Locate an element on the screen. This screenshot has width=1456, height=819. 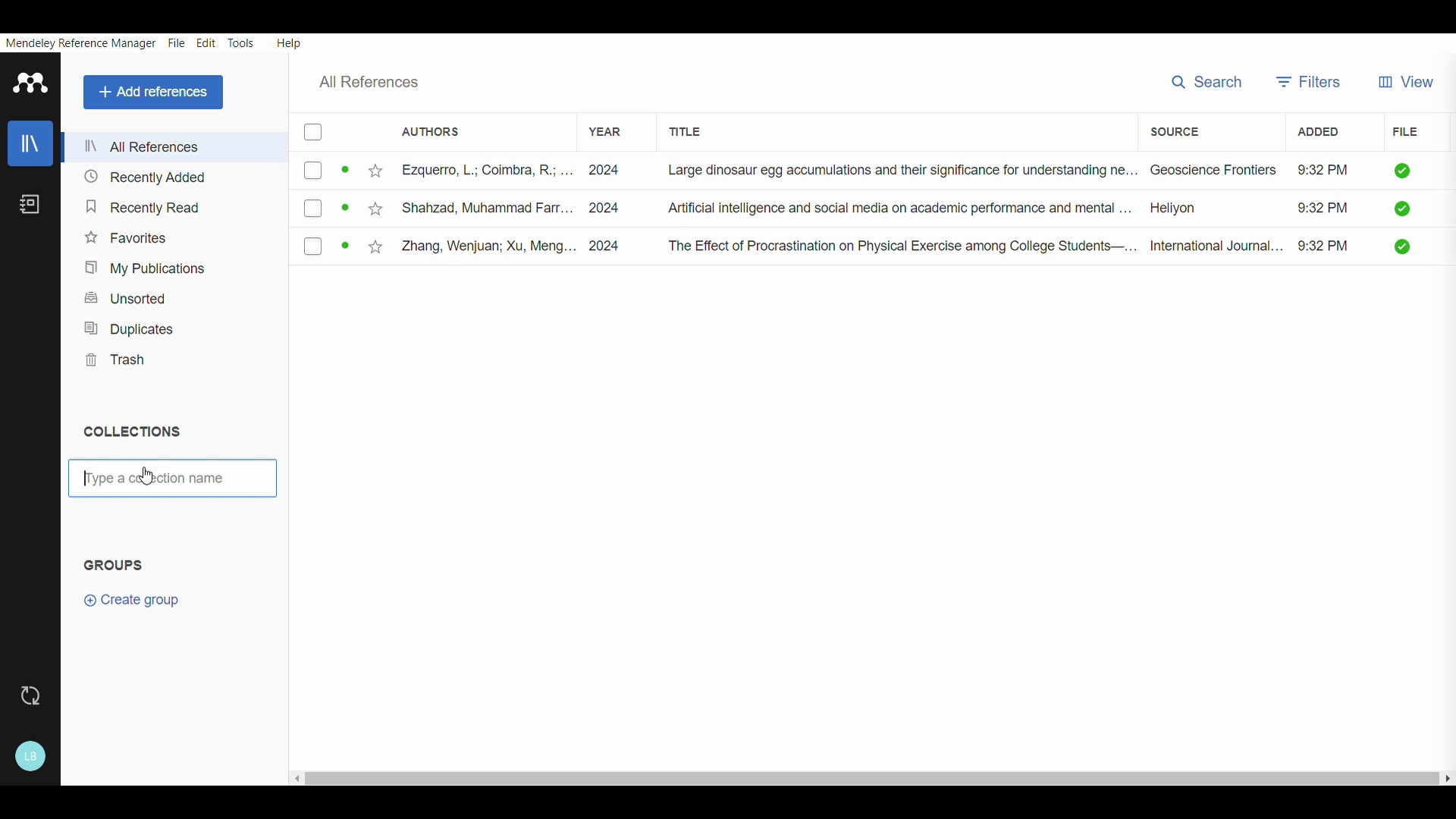
Search is located at coordinates (1207, 80).